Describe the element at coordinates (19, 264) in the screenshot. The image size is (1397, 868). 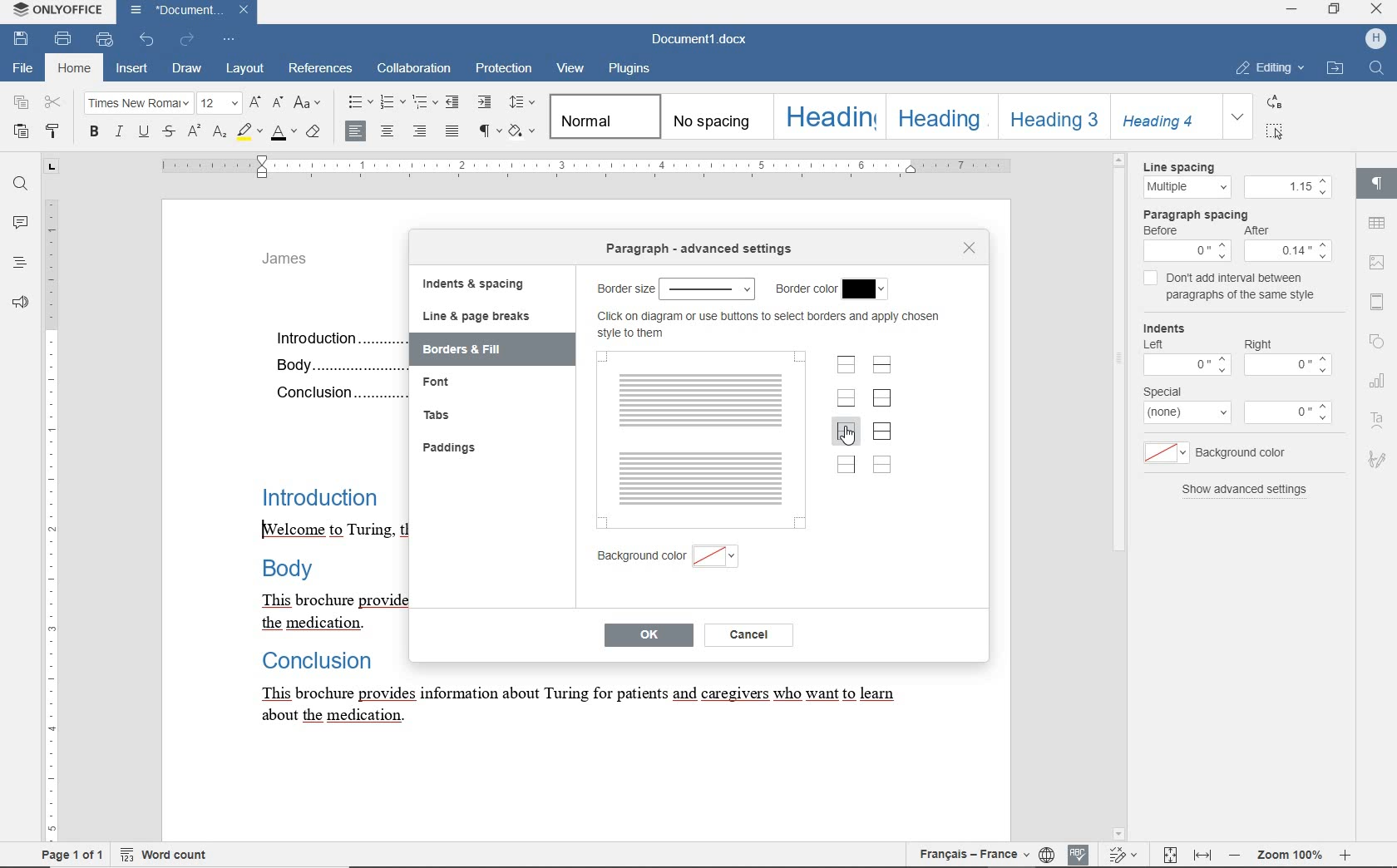
I see `headings` at that location.